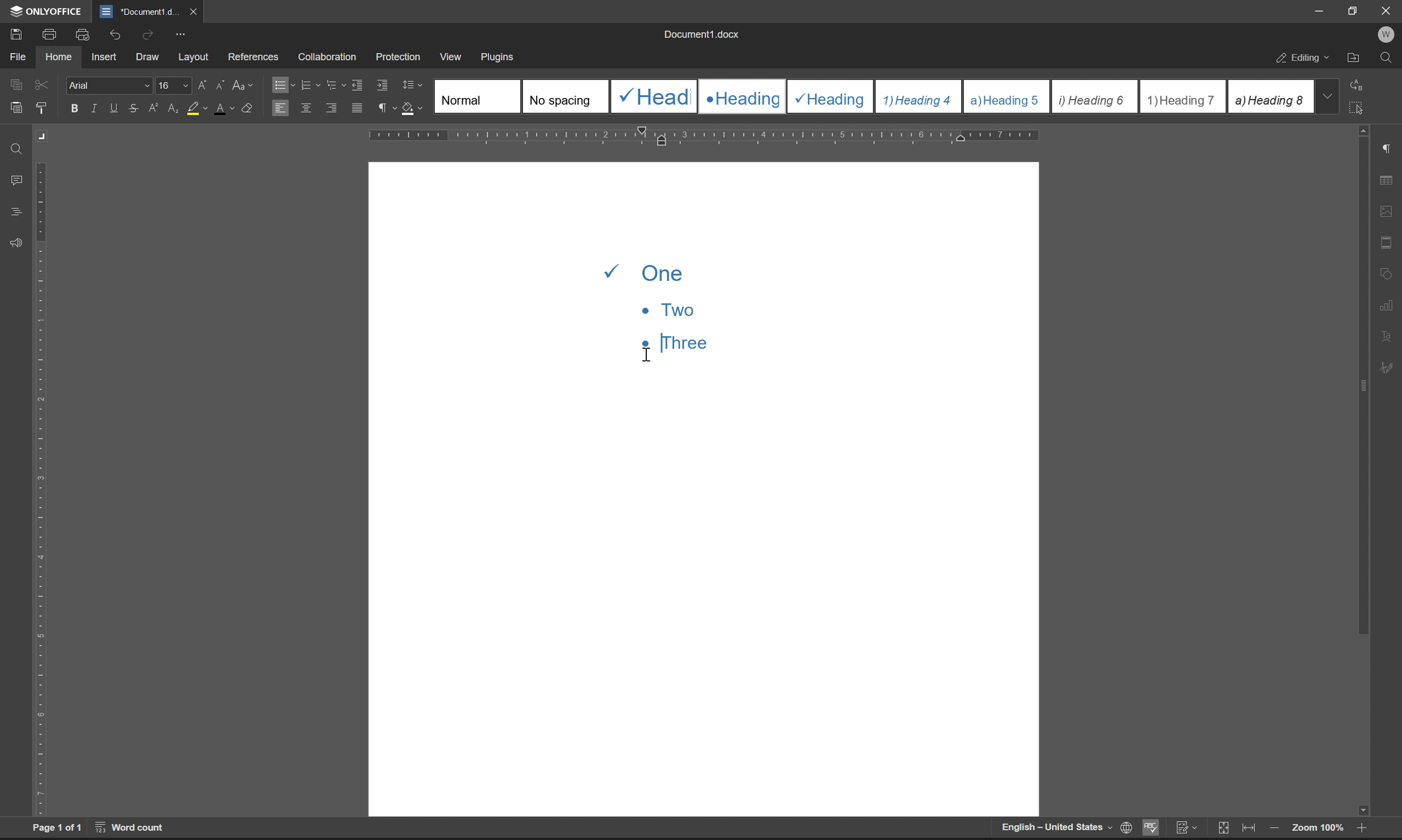 The width and height of the screenshot is (1402, 840). I want to click on italic, so click(96, 108).